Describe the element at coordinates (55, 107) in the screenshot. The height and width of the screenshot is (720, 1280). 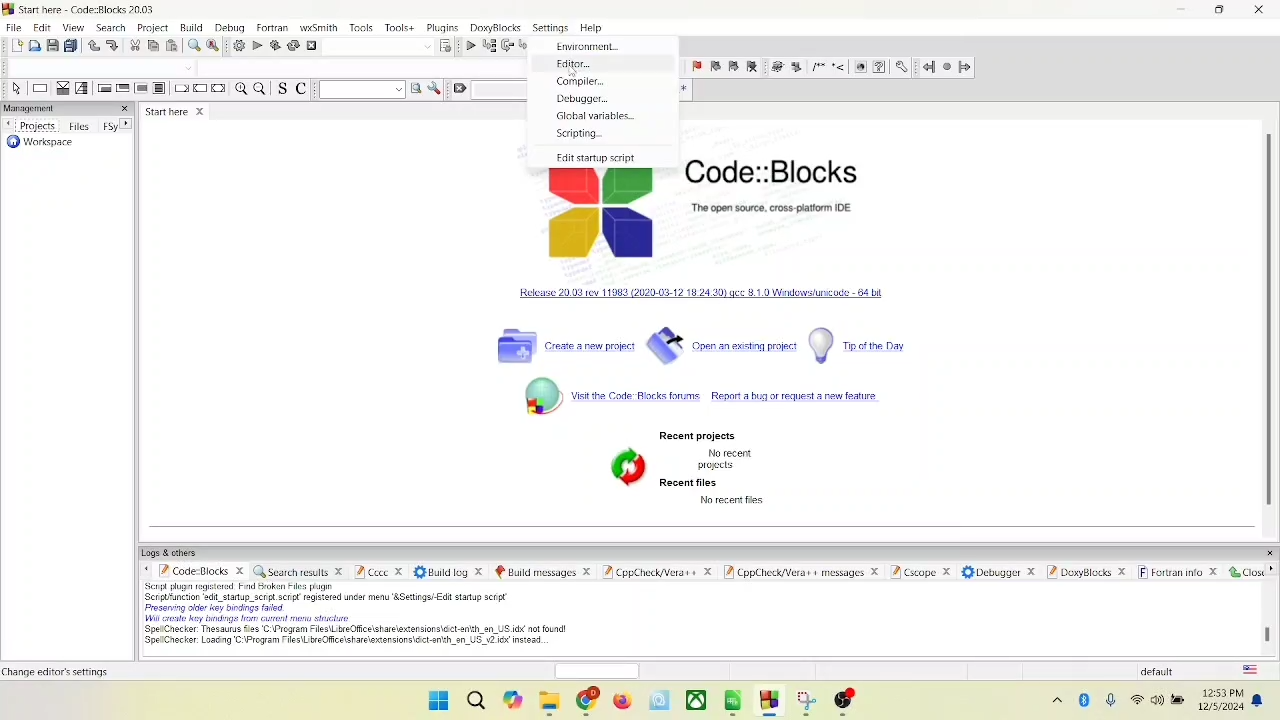
I see `management` at that location.